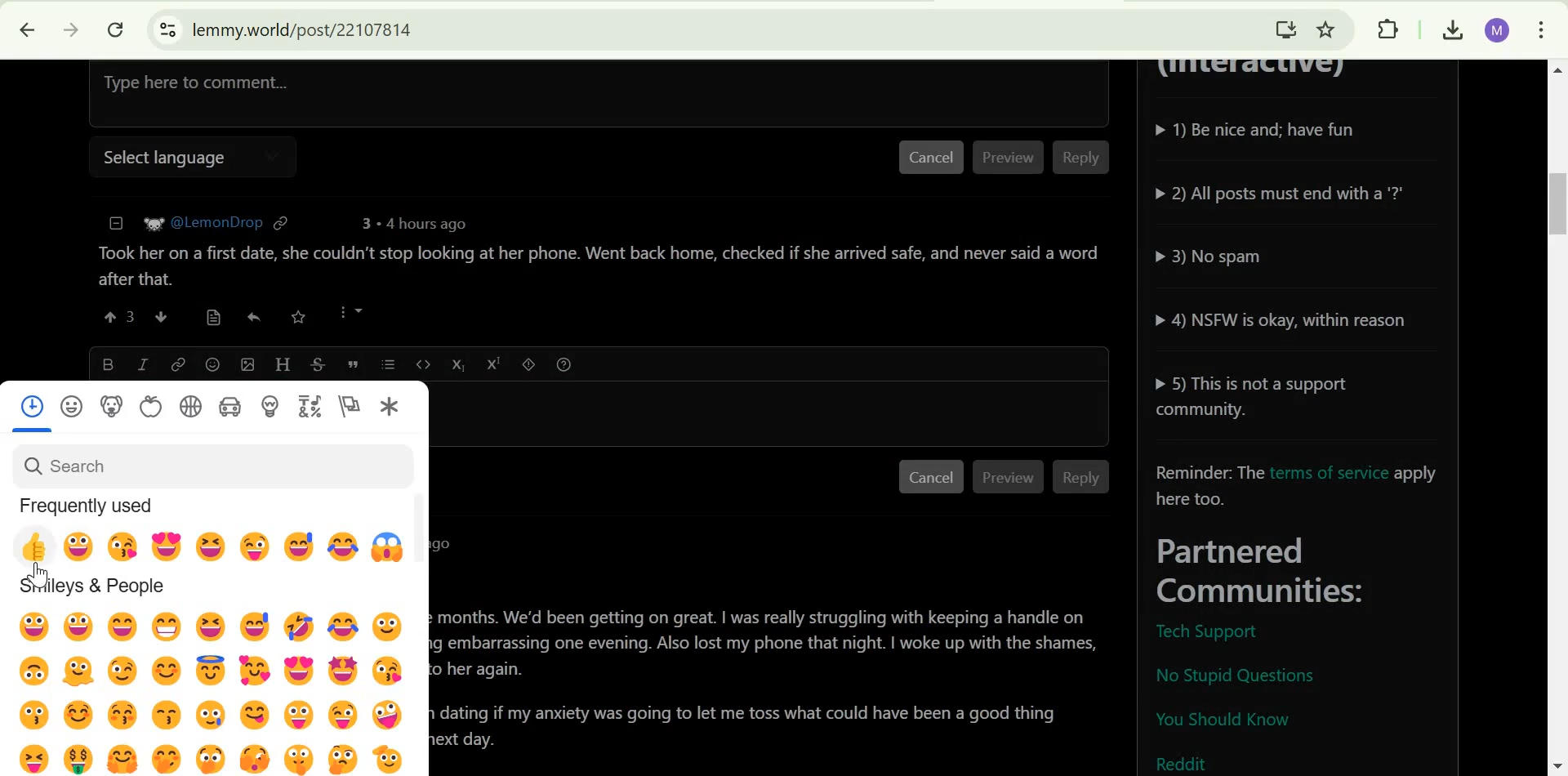 The image size is (1568, 776). What do you see at coordinates (427, 90) in the screenshot?
I see `Type here to comment...` at bounding box center [427, 90].